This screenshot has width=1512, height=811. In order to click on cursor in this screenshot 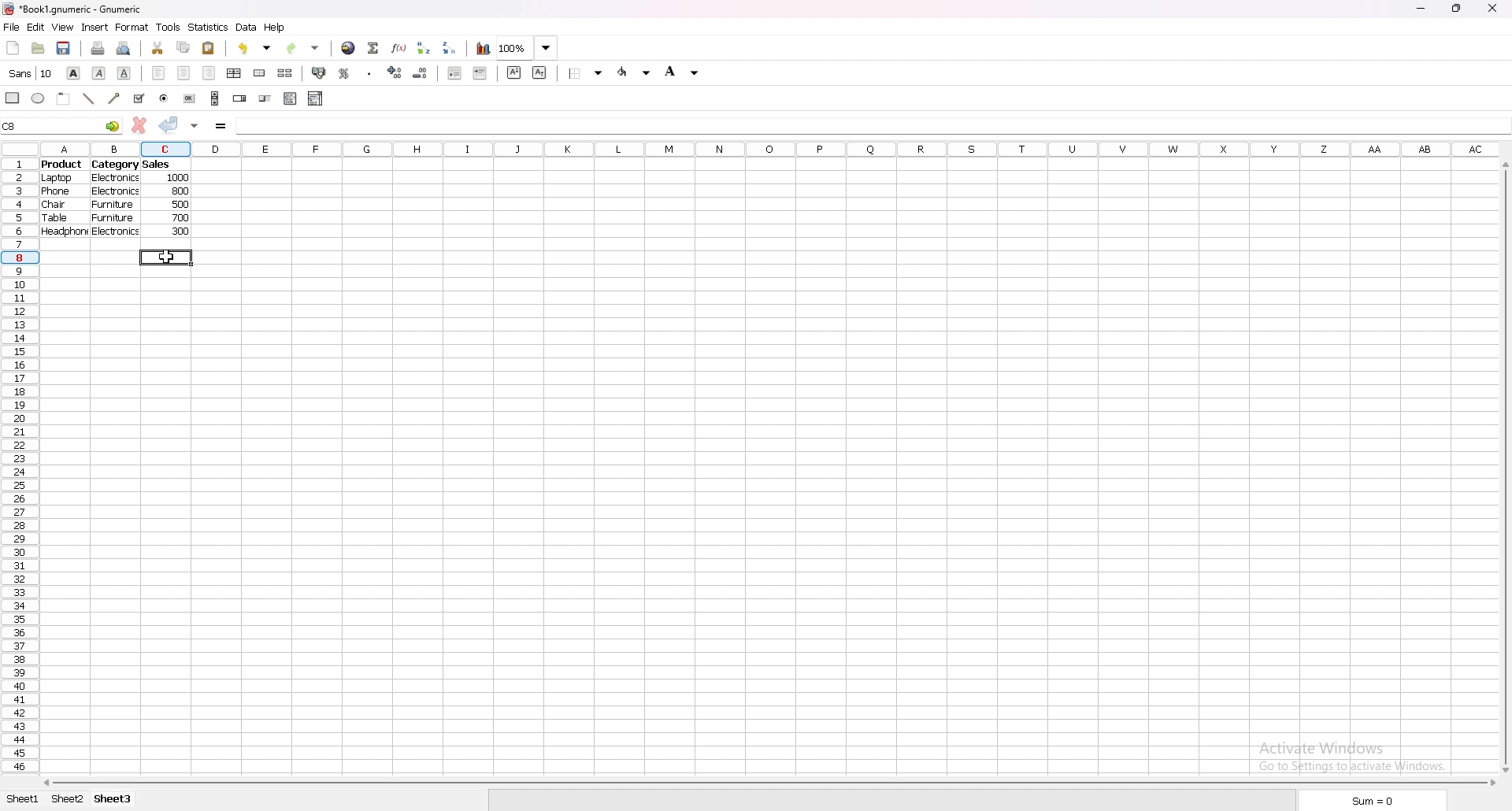, I will do `click(164, 257)`.